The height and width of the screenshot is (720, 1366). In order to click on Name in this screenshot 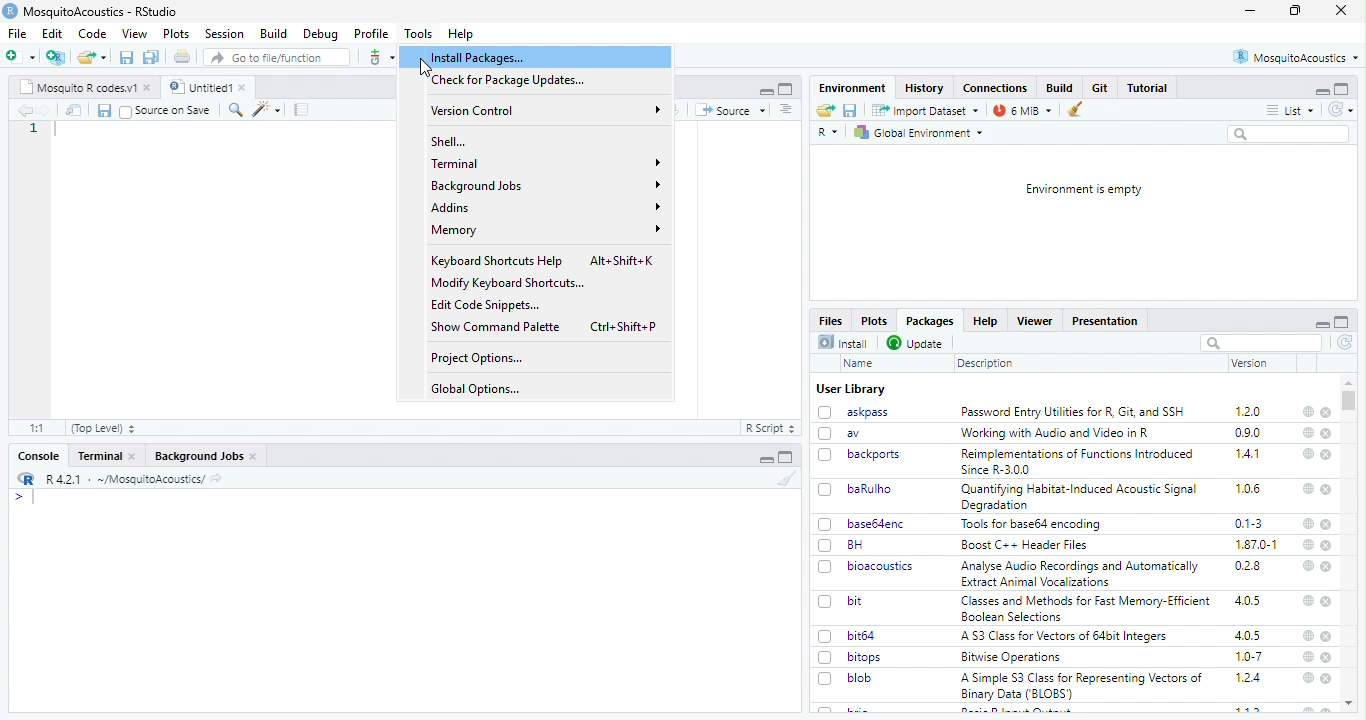, I will do `click(862, 364)`.